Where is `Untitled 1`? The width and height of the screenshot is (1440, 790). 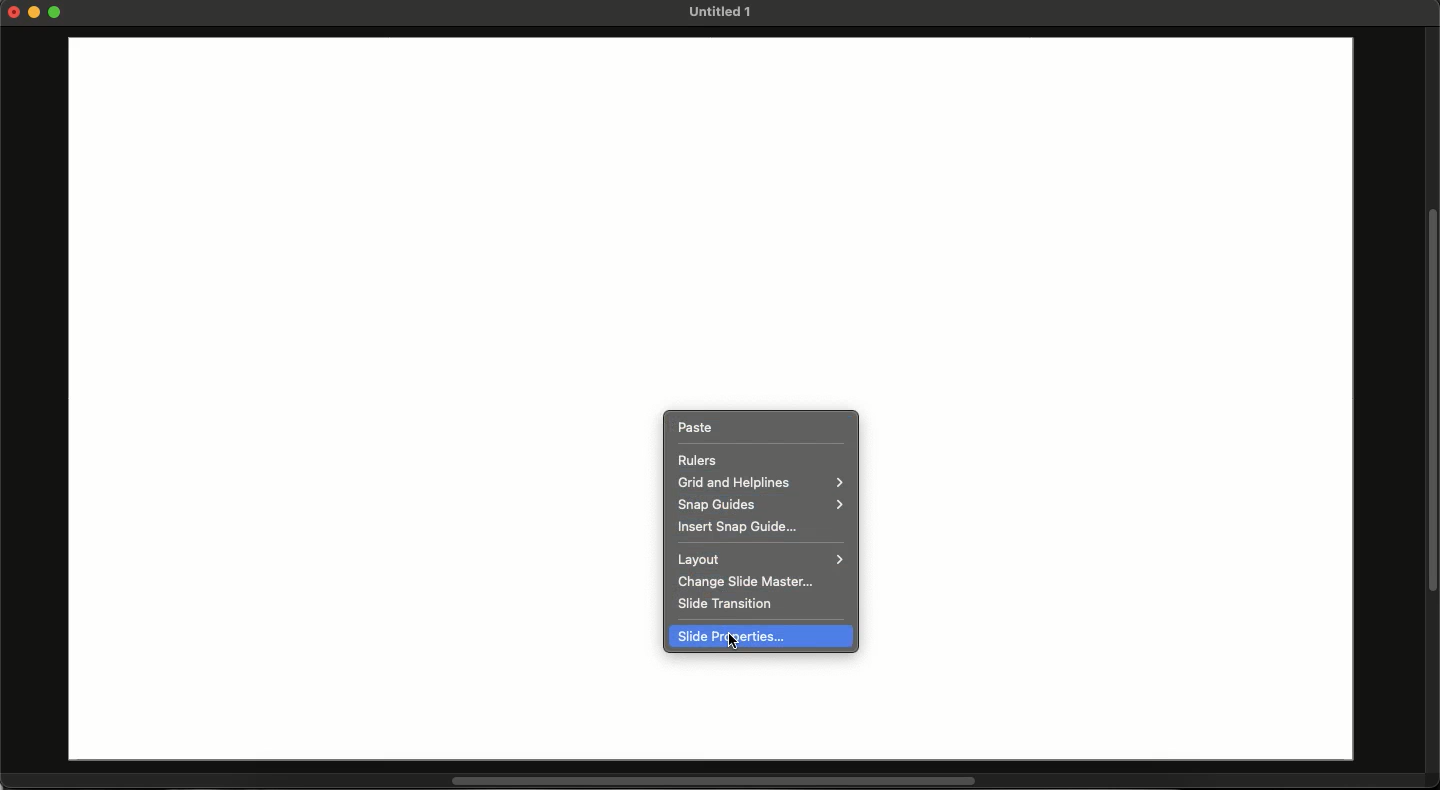
Untitled 1 is located at coordinates (718, 12).